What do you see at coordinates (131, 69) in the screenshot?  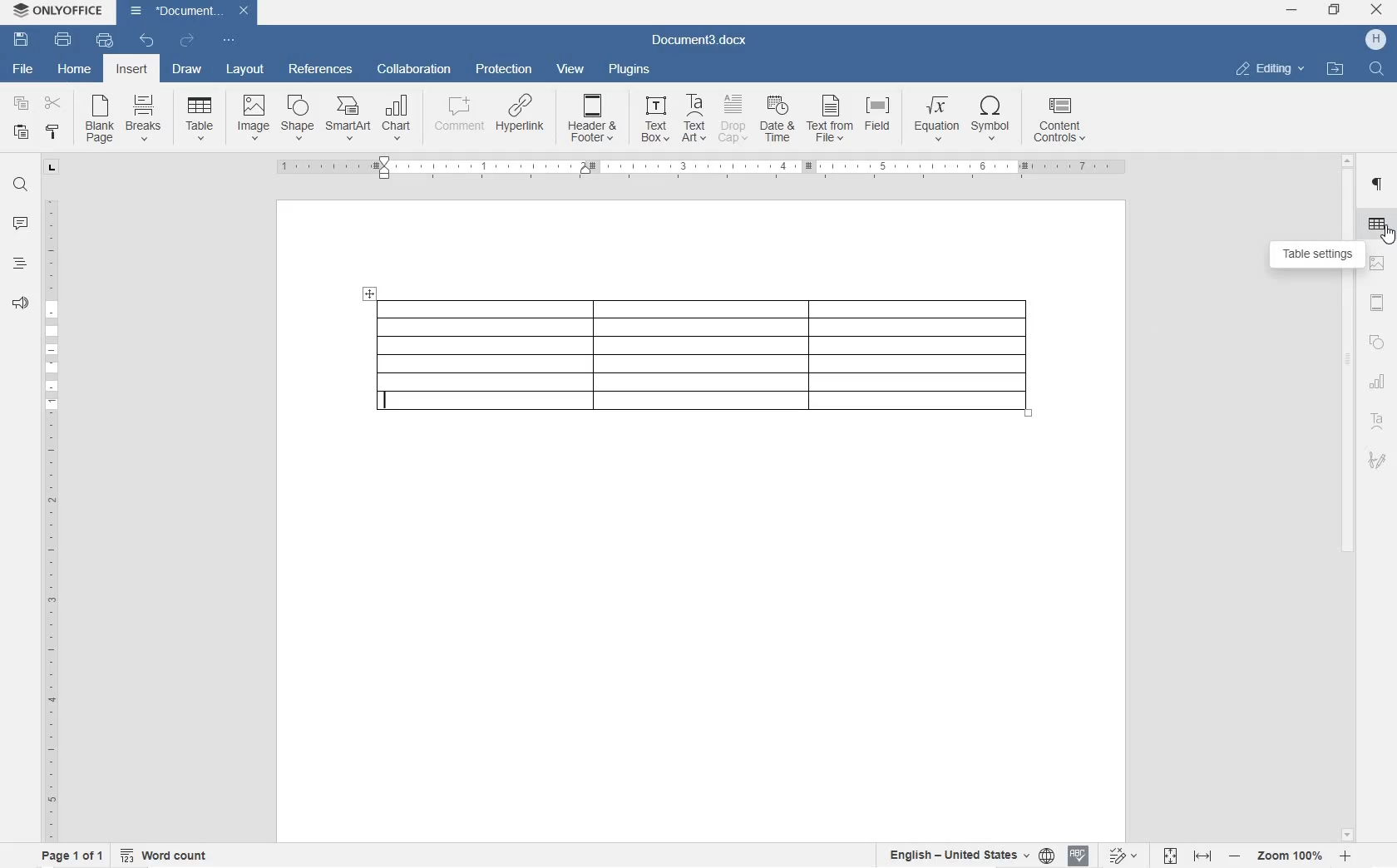 I see `INSERT` at bounding box center [131, 69].